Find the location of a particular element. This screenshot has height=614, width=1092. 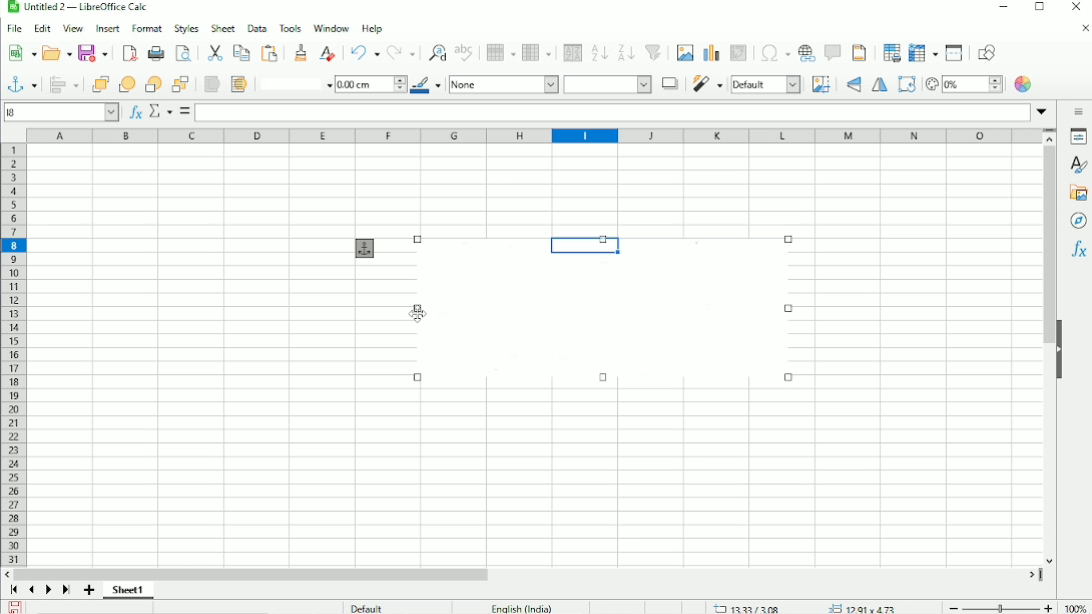

Bring to front is located at coordinates (99, 84).